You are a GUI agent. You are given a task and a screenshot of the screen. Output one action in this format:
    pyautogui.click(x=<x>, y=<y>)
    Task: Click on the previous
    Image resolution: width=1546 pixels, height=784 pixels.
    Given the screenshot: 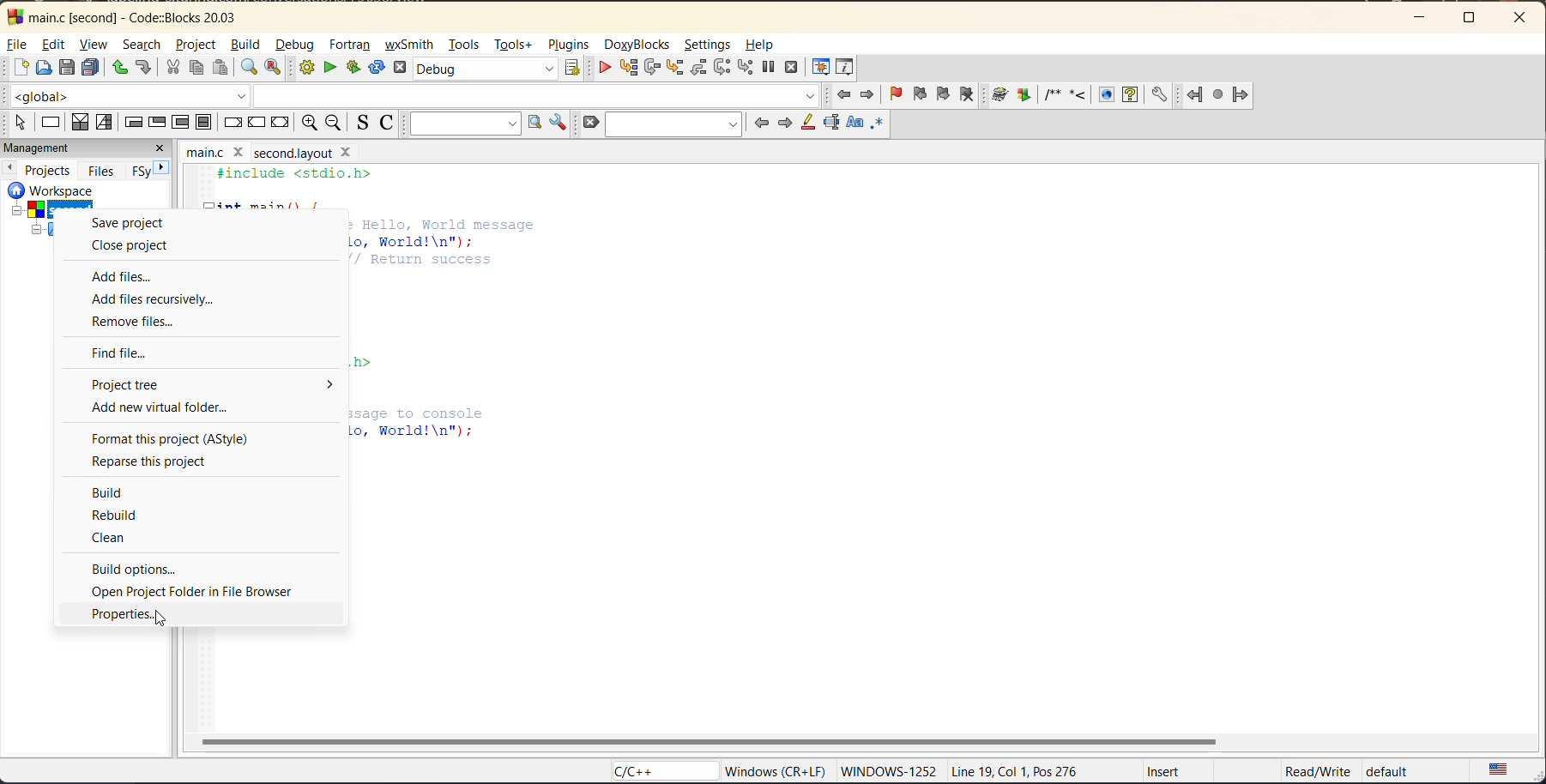 What is the action you would take?
    pyautogui.click(x=9, y=168)
    